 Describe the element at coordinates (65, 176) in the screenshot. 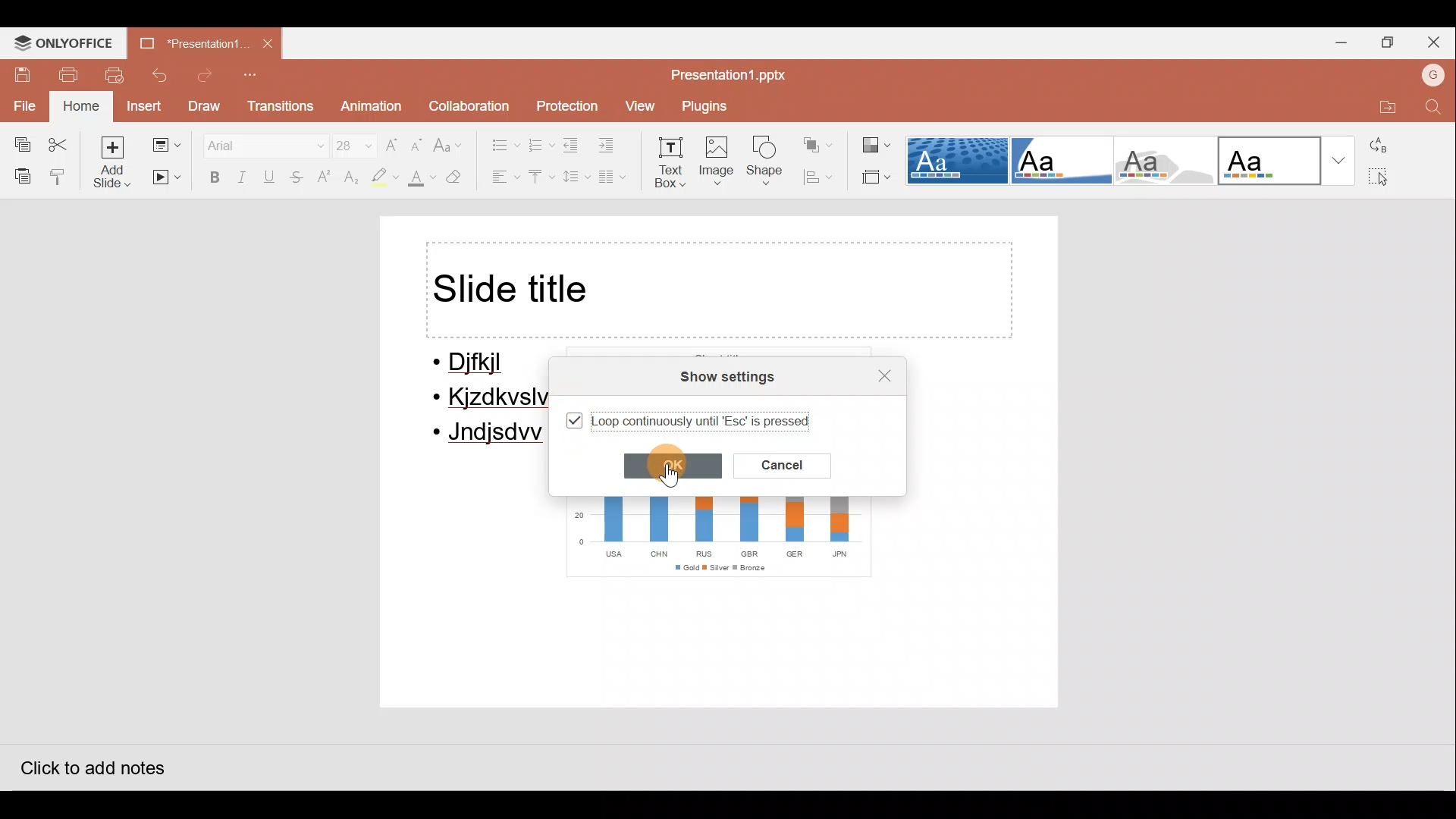

I see `Copy style` at that location.